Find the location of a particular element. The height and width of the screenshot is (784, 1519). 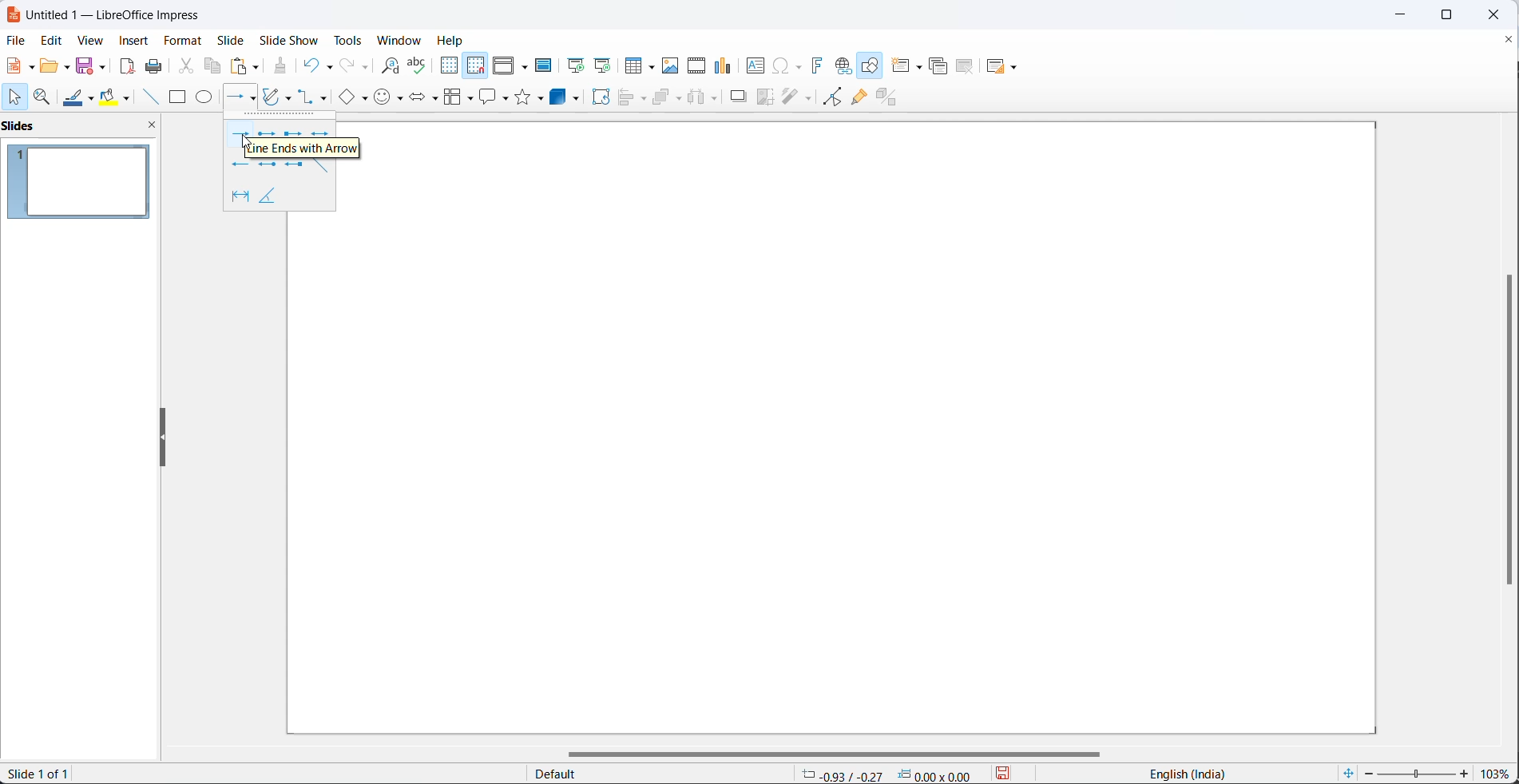

arrow pointing right is located at coordinates (244, 133).